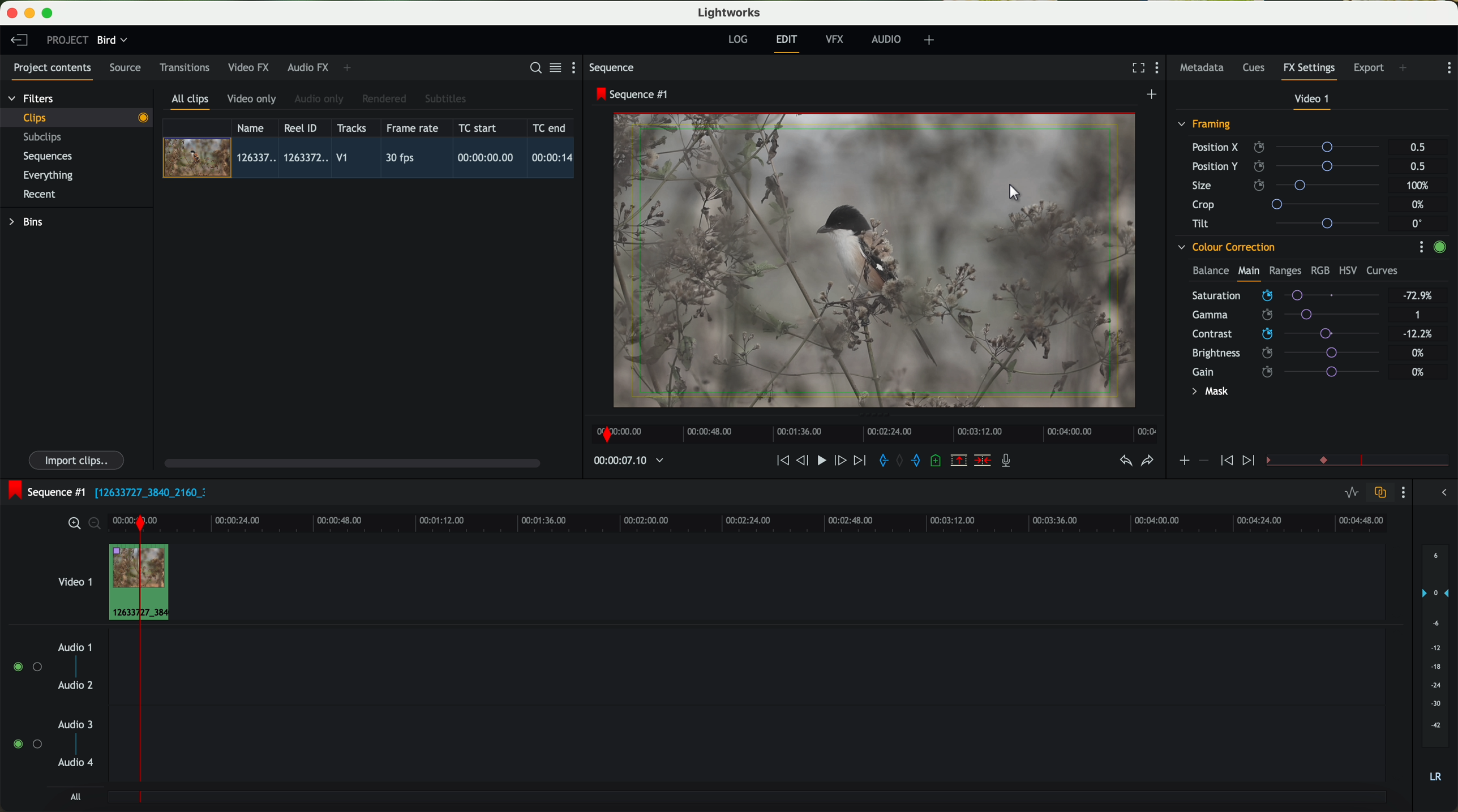  What do you see at coordinates (44, 492) in the screenshot?
I see `sequence #1` at bounding box center [44, 492].